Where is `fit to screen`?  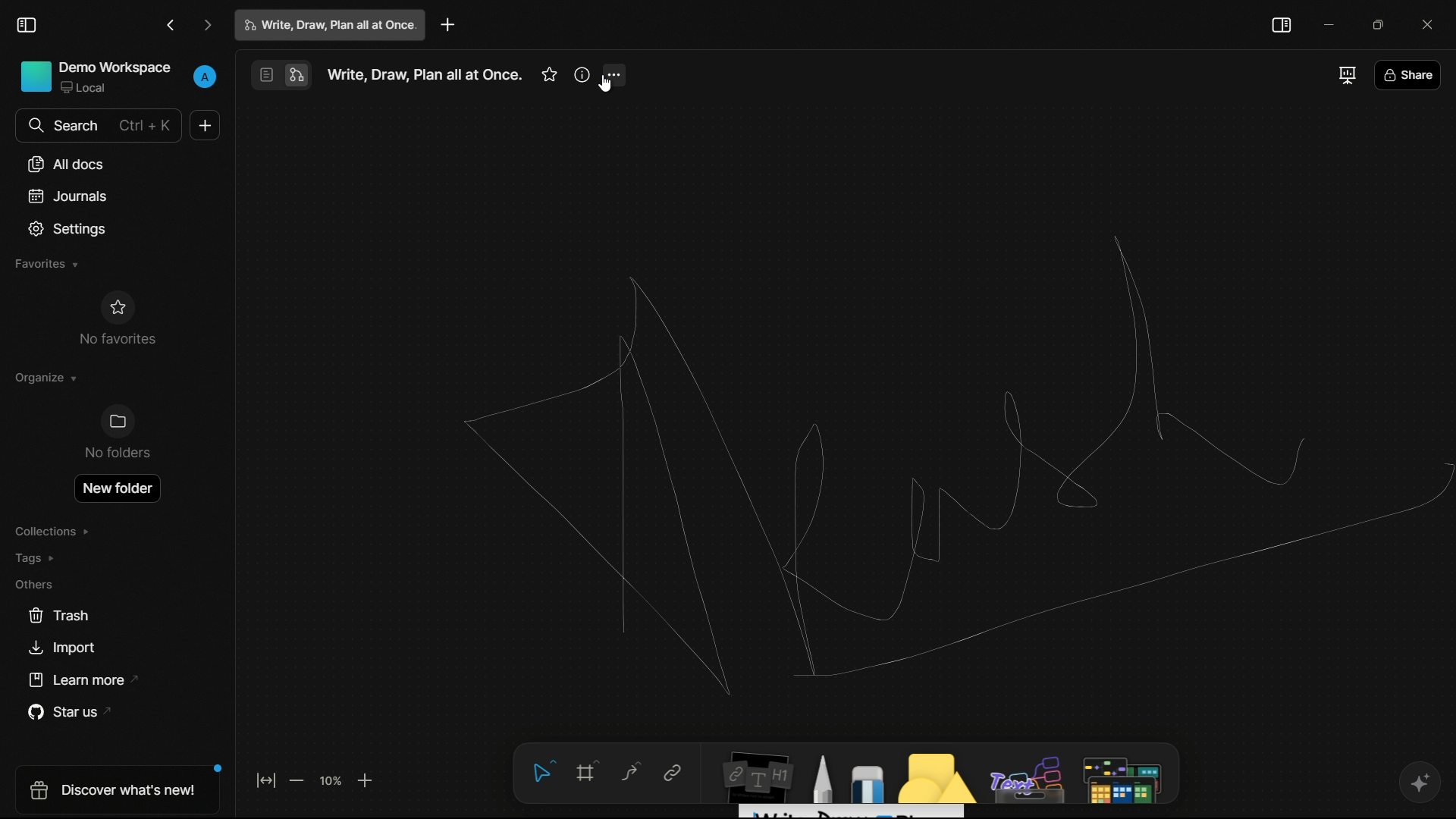
fit to screen is located at coordinates (265, 780).